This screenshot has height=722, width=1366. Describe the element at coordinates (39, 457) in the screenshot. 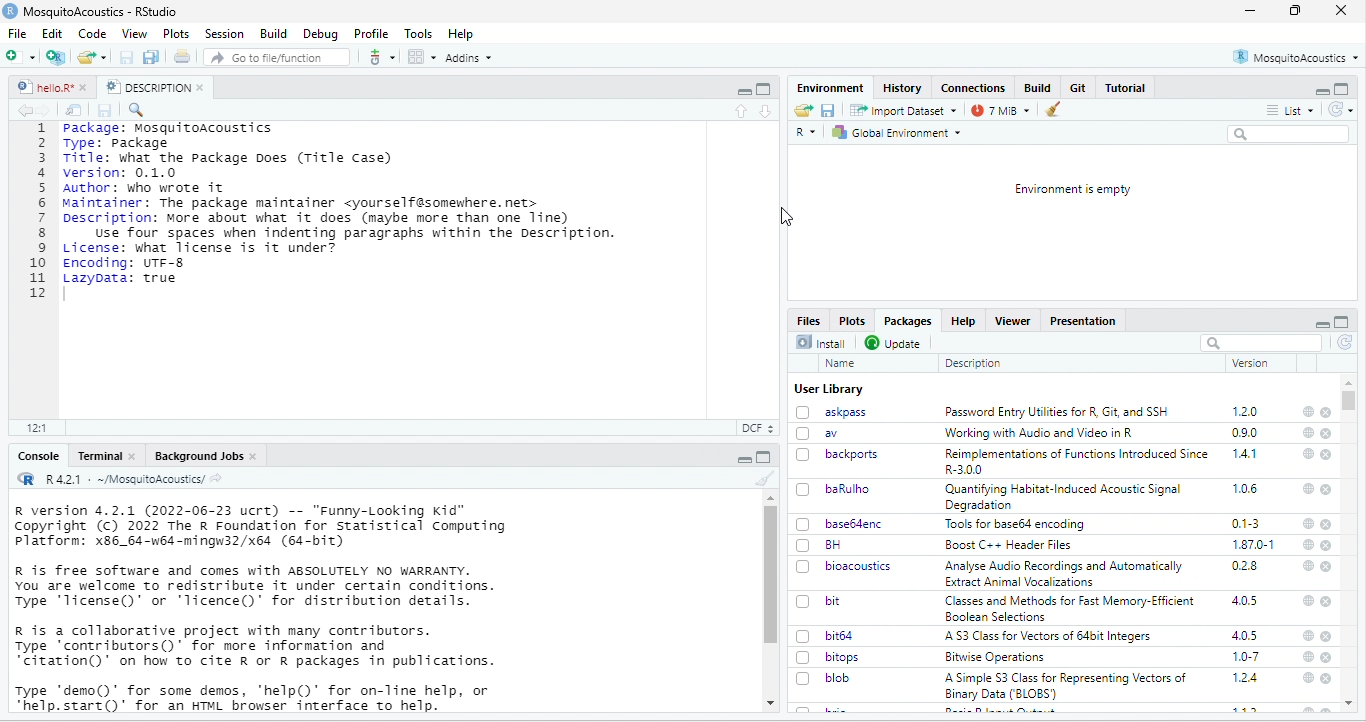

I see `Console` at that location.